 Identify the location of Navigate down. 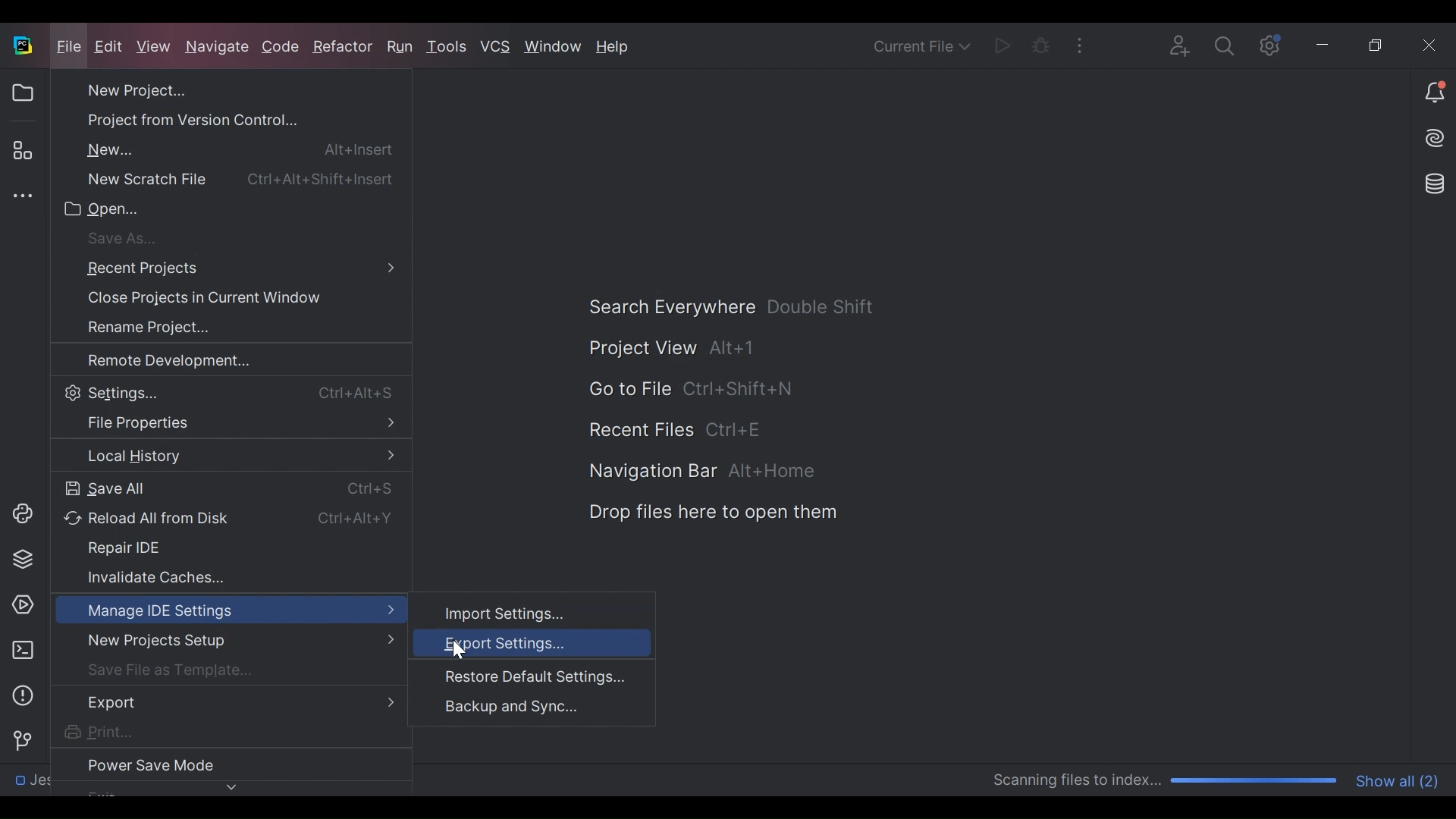
(224, 786).